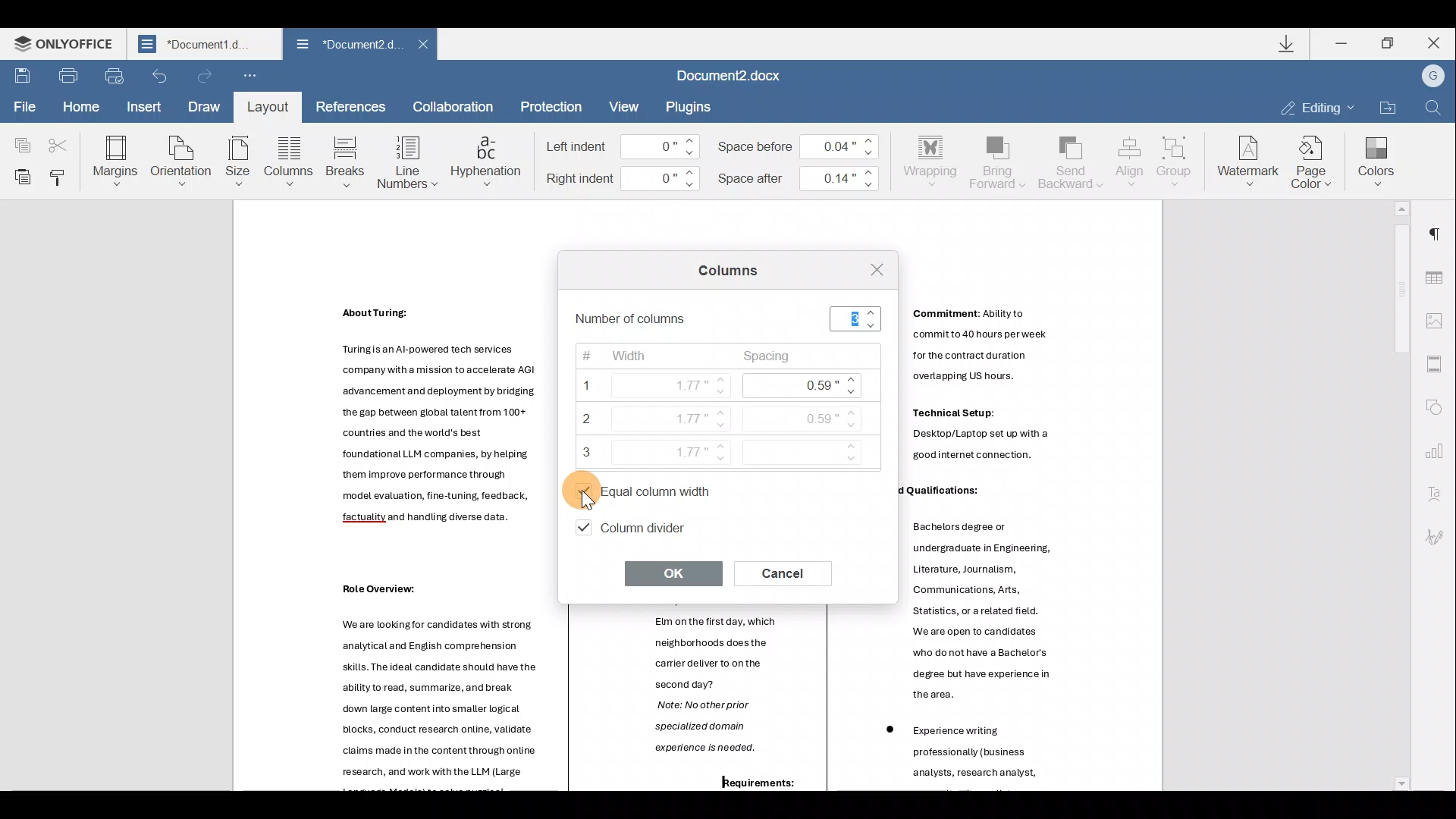 This screenshot has height=819, width=1456. What do you see at coordinates (731, 318) in the screenshot?
I see `Number of columns` at bounding box center [731, 318].